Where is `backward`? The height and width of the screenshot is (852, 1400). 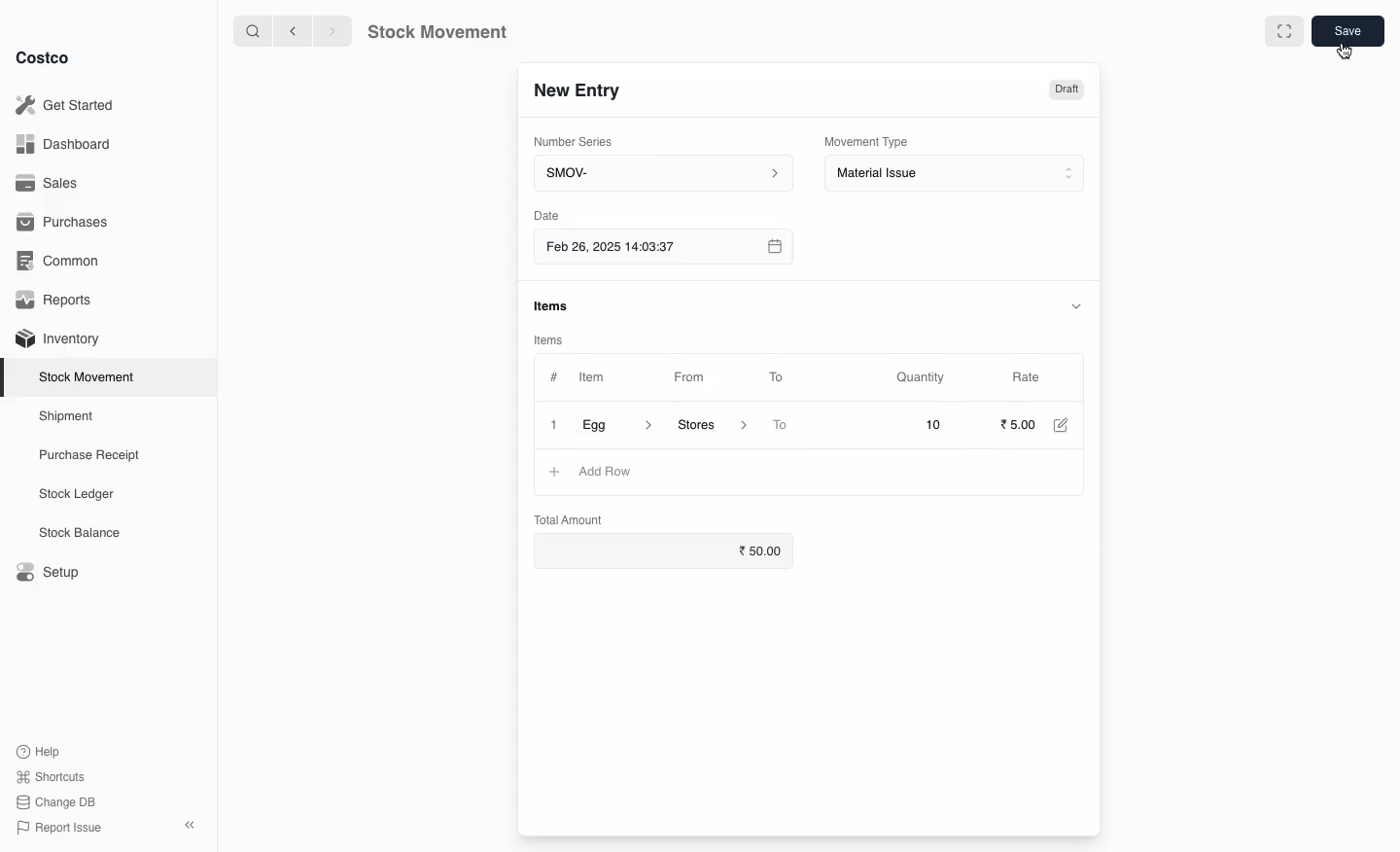 backward is located at coordinates (296, 32).